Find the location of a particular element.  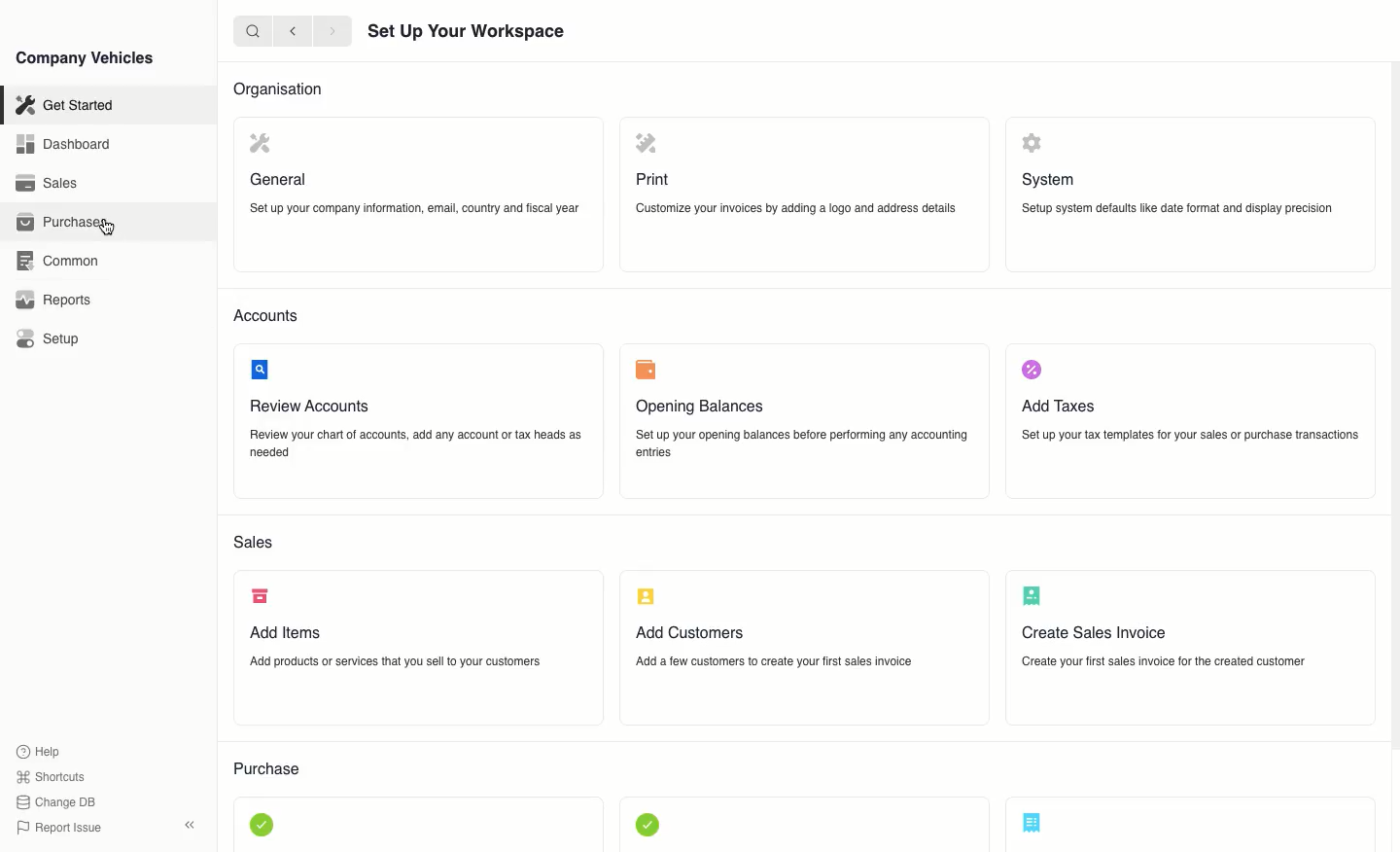

General is located at coordinates (280, 180).